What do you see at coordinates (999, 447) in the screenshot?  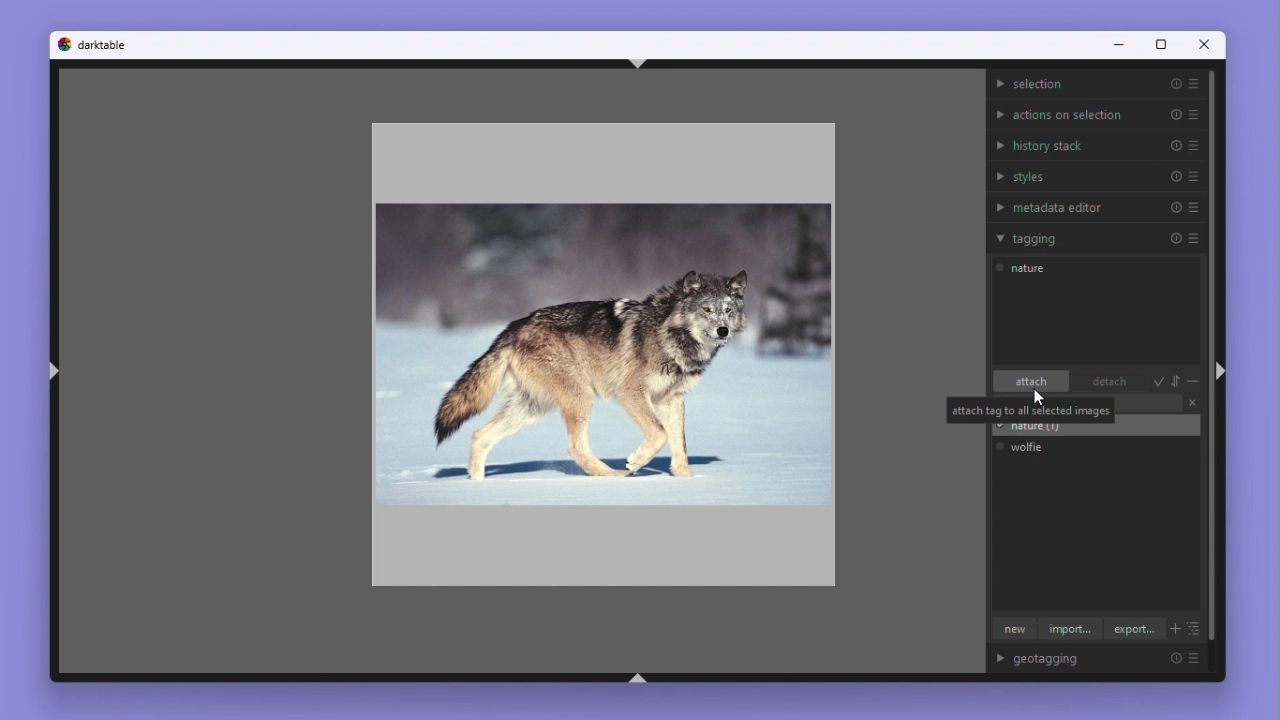 I see `checkbox` at bounding box center [999, 447].